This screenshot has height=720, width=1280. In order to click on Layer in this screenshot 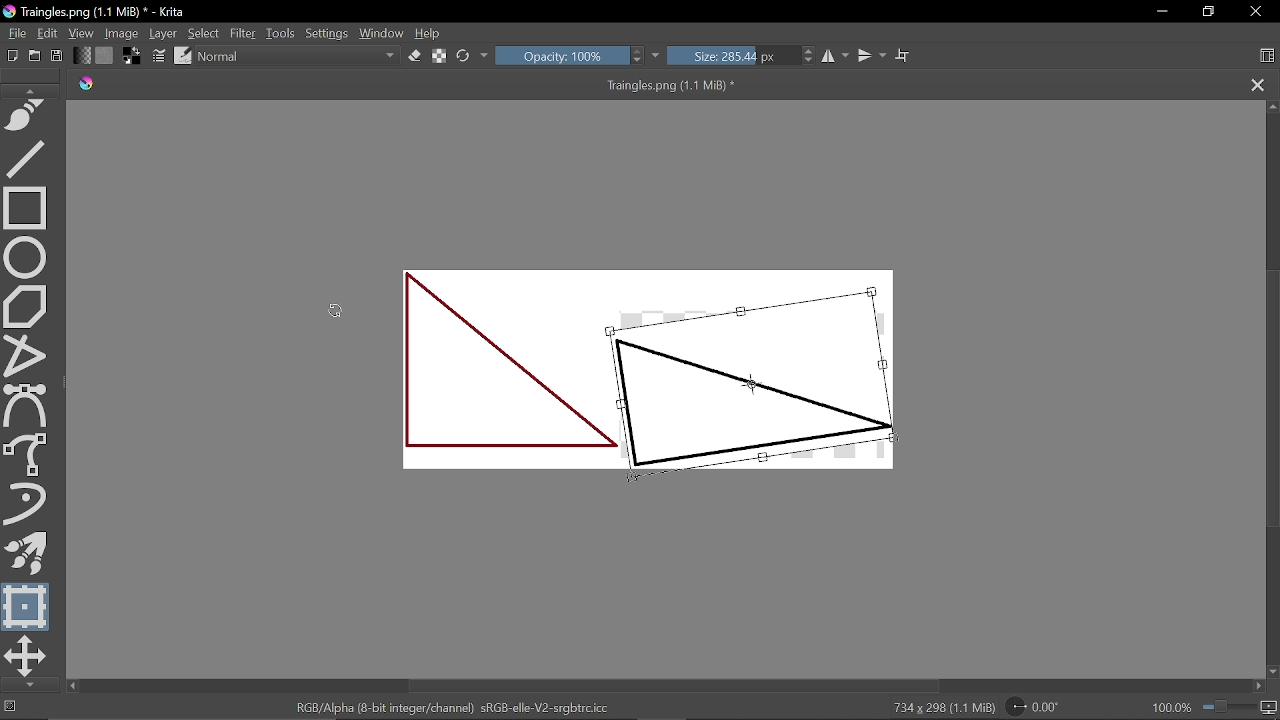, I will do `click(164, 34)`.